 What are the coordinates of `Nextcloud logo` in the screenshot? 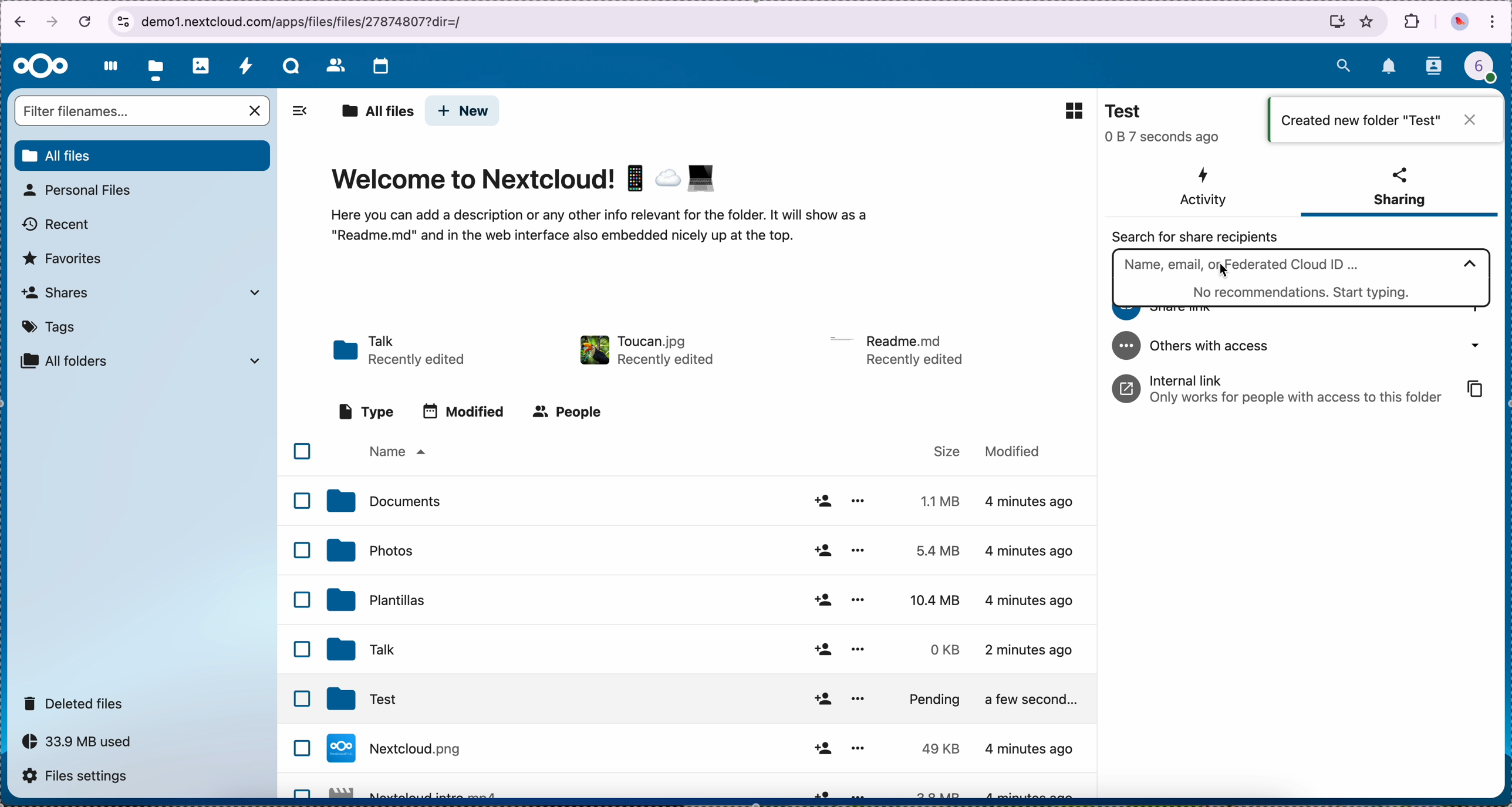 It's located at (41, 67).